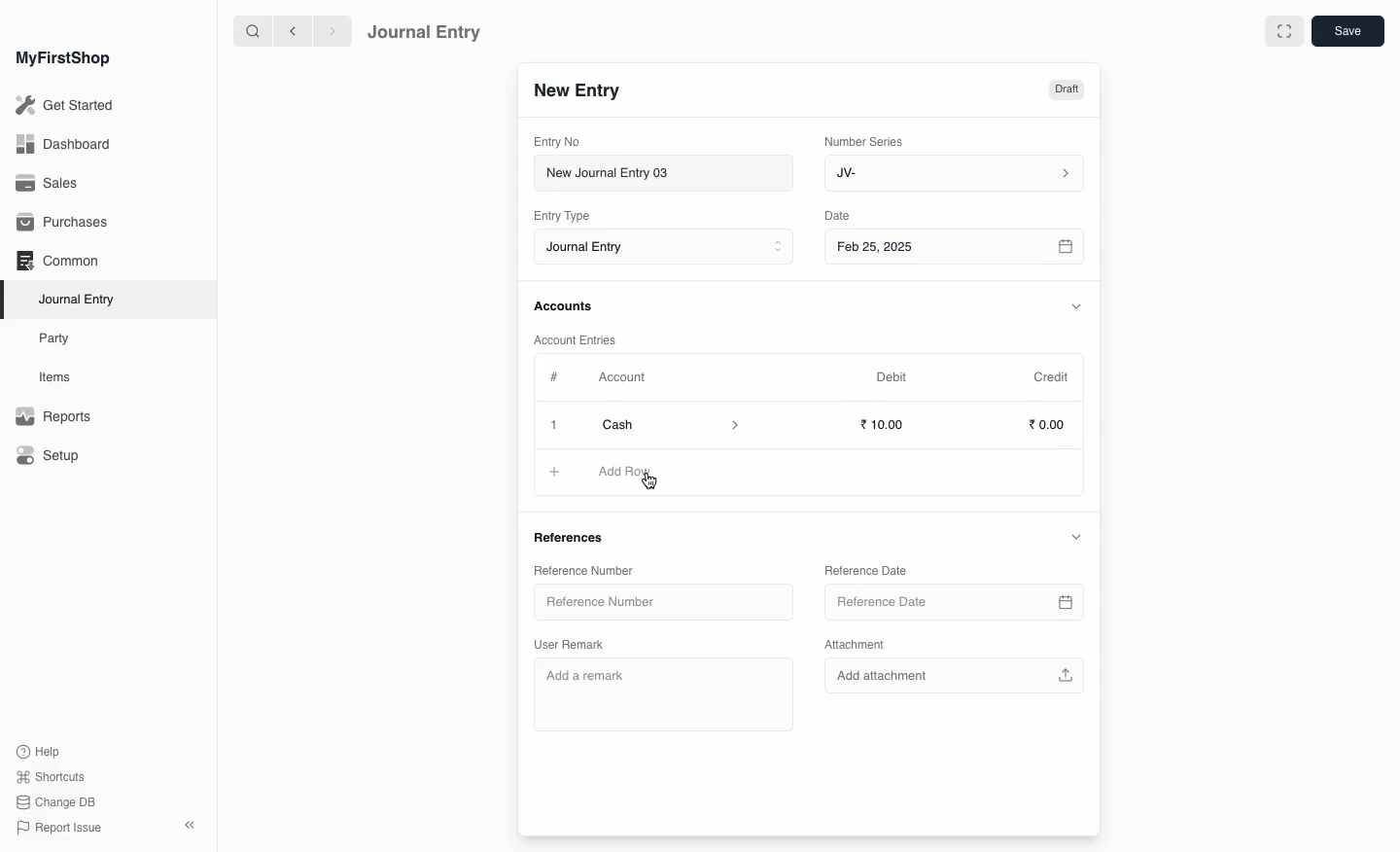 Image resolution: width=1400 pixels, height=852 pixels. I want to click on Hide, so click(1077, 306).